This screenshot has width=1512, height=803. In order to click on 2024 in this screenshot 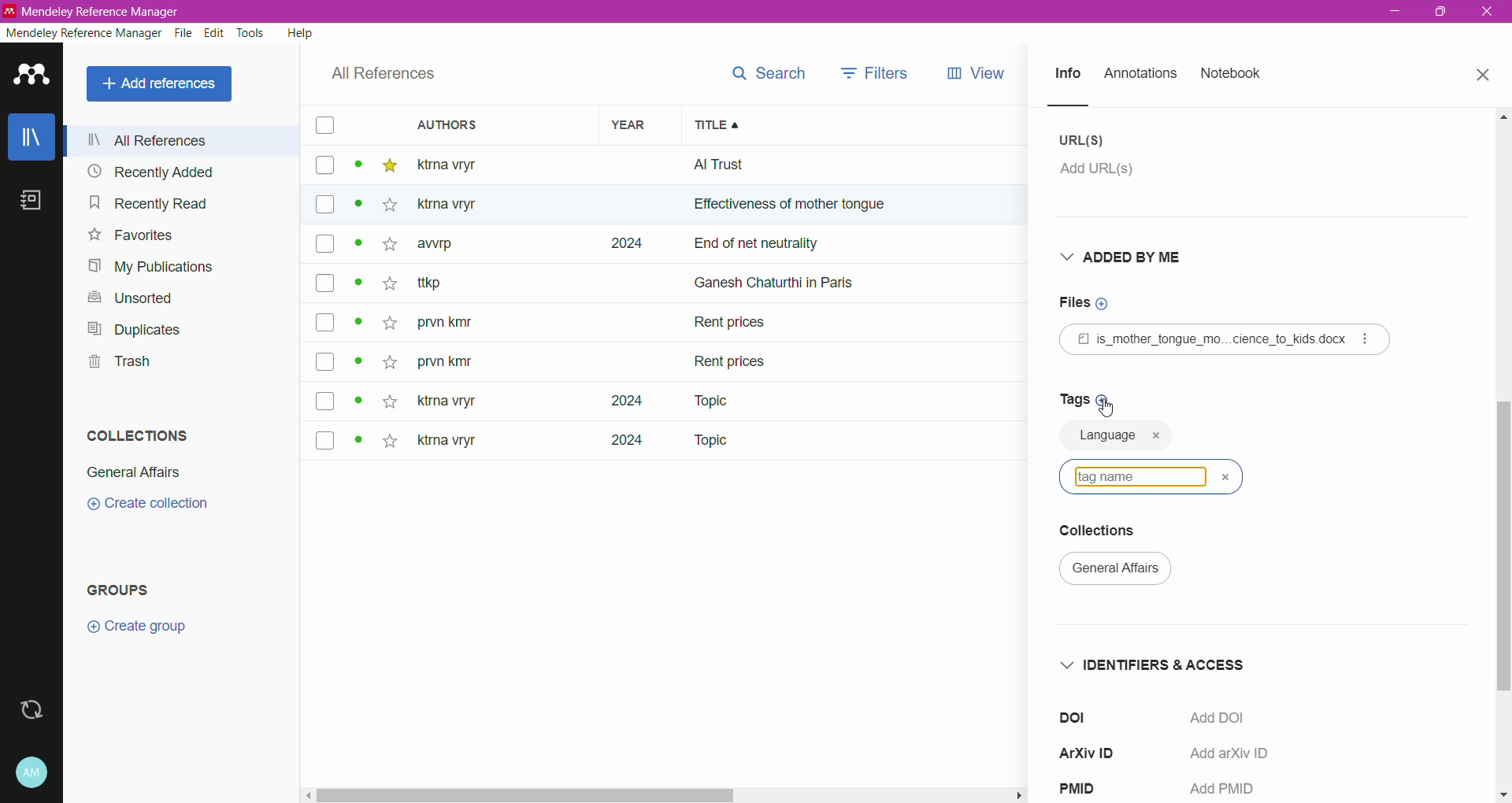, I will do `click(623, 244)`.